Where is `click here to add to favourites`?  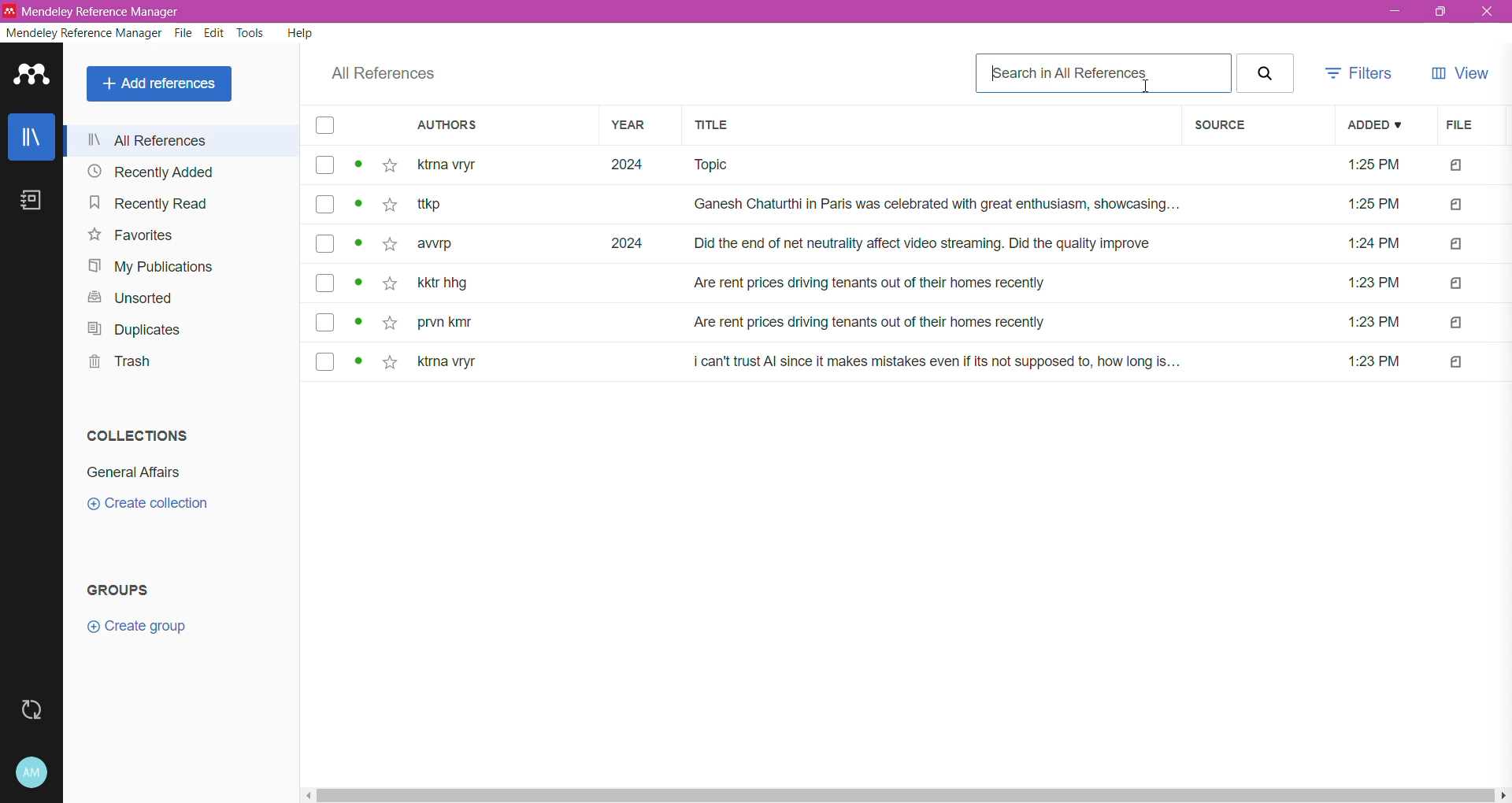
click here to add to favourites is located at coordinates (389, 246).